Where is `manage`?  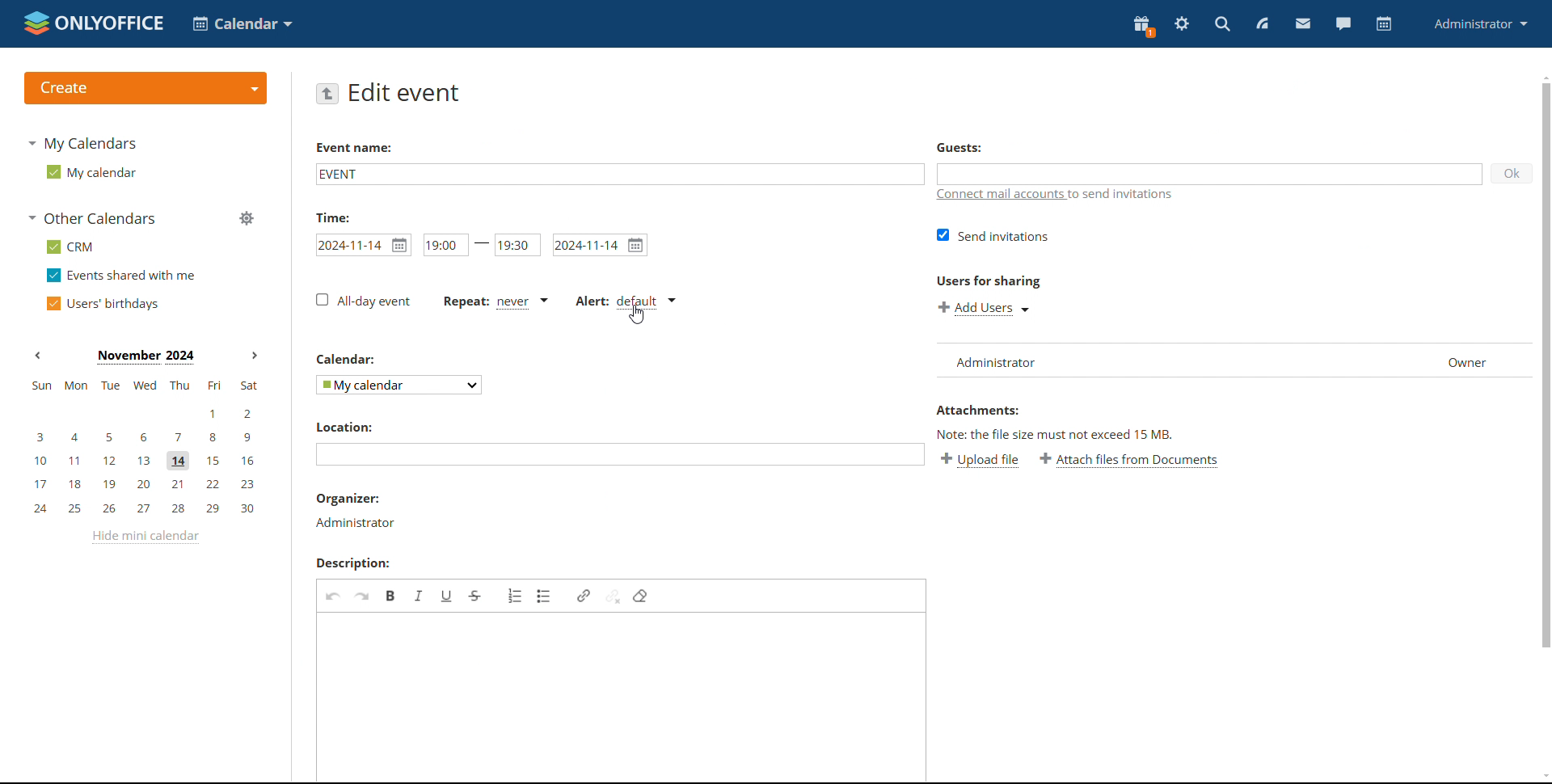
manage is located at coordinates (247, 218).